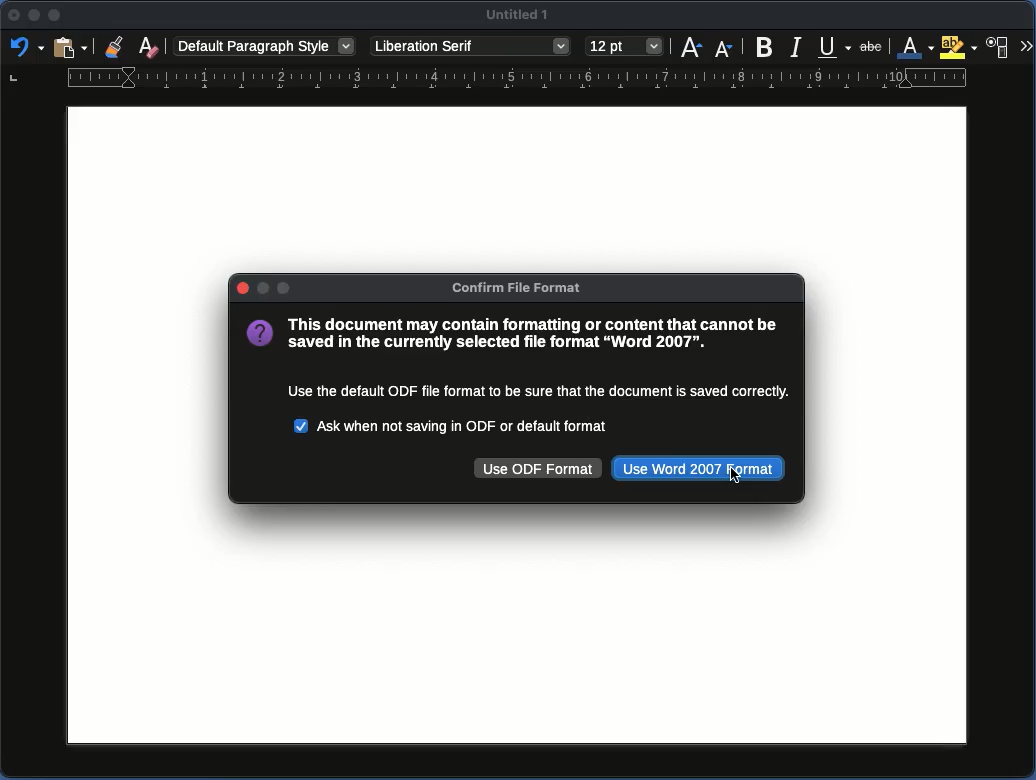 The width and height of the screenshot is (1036, 780). Describe the element at coordinates (765, 45) in the screenshot. I see `Bold` at that location.